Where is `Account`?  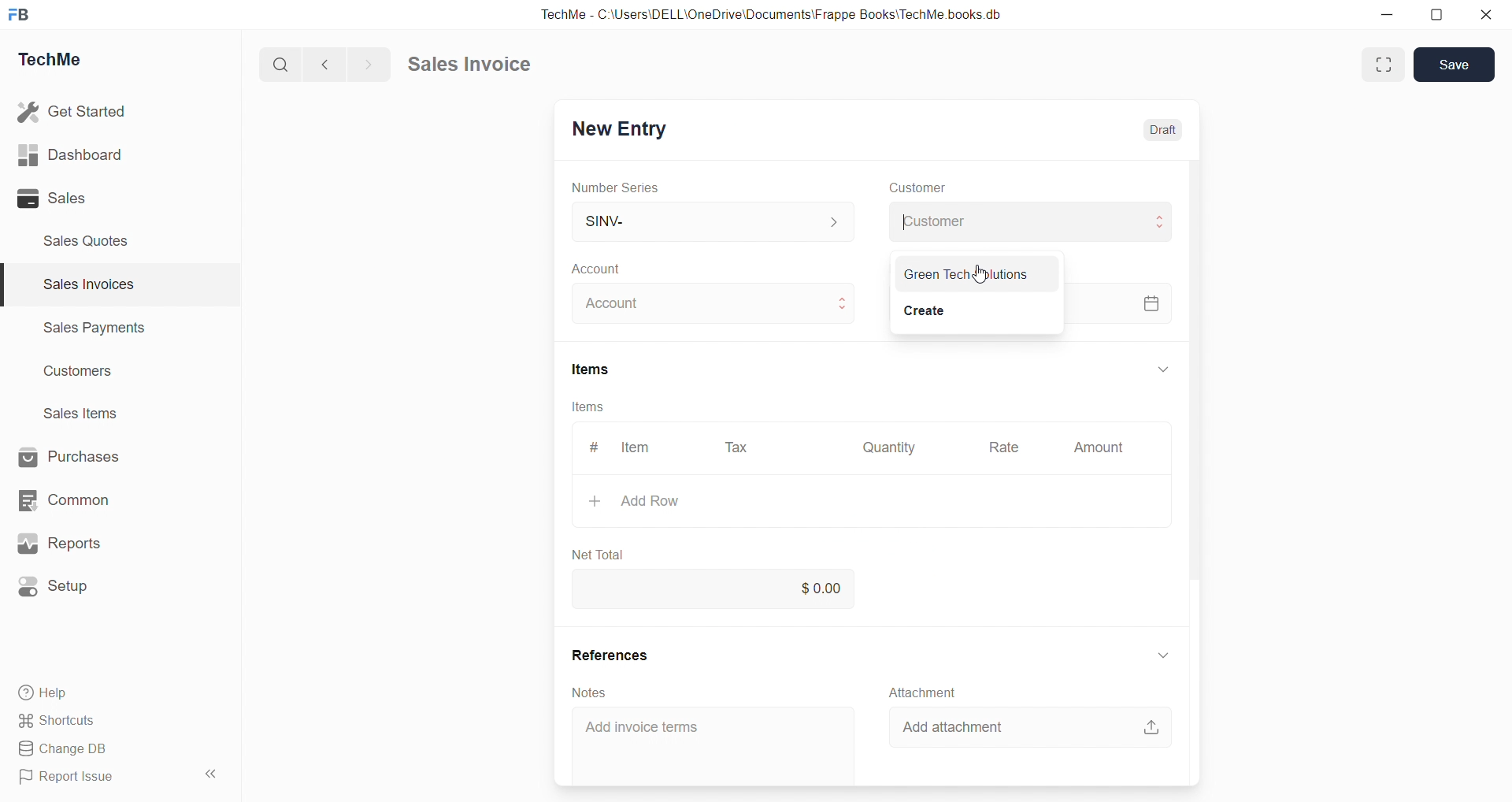 Account is located at coordinates (604, 269).